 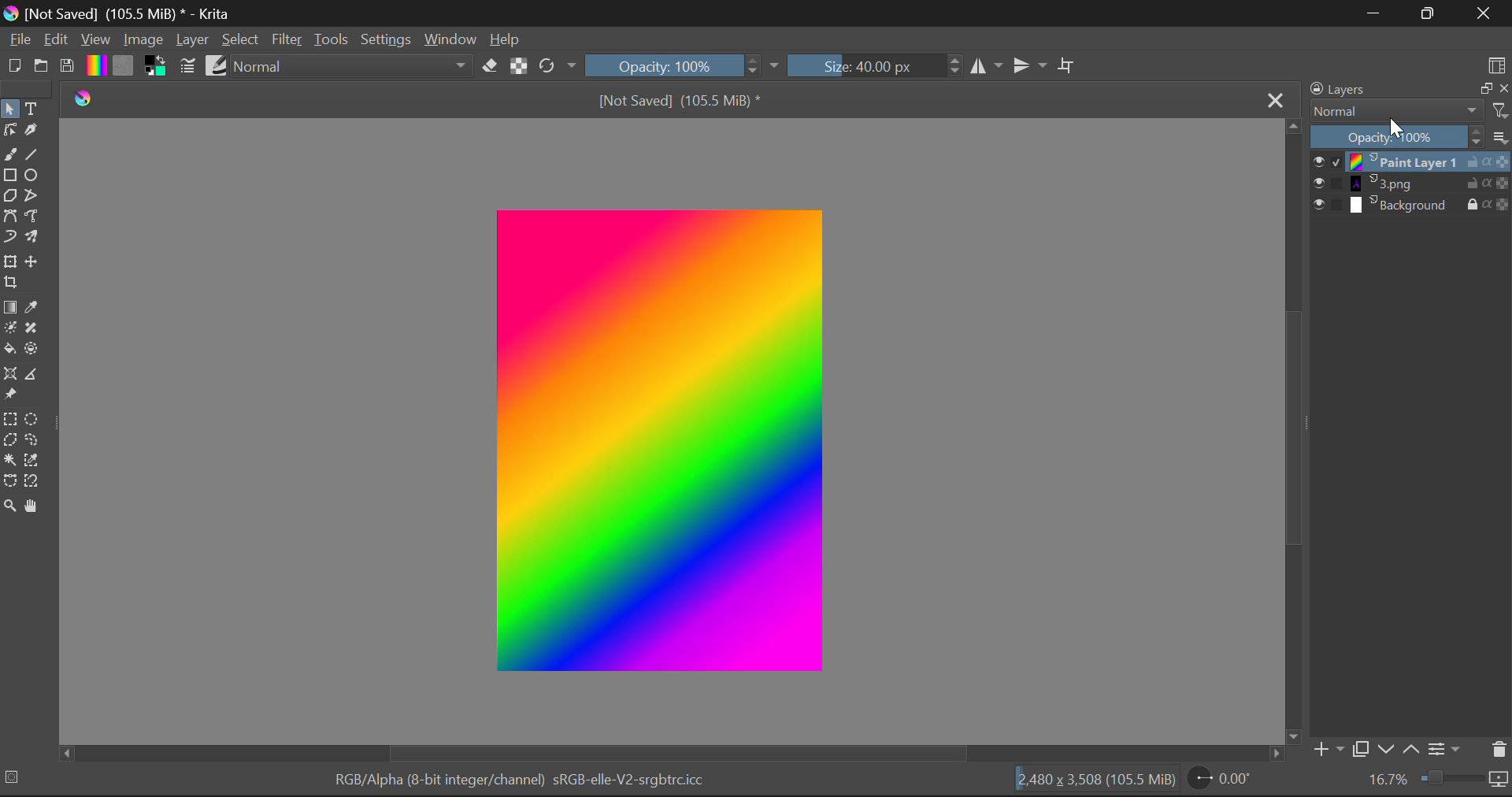 I want to click on Add Layer, so click(x=1329, y=748).